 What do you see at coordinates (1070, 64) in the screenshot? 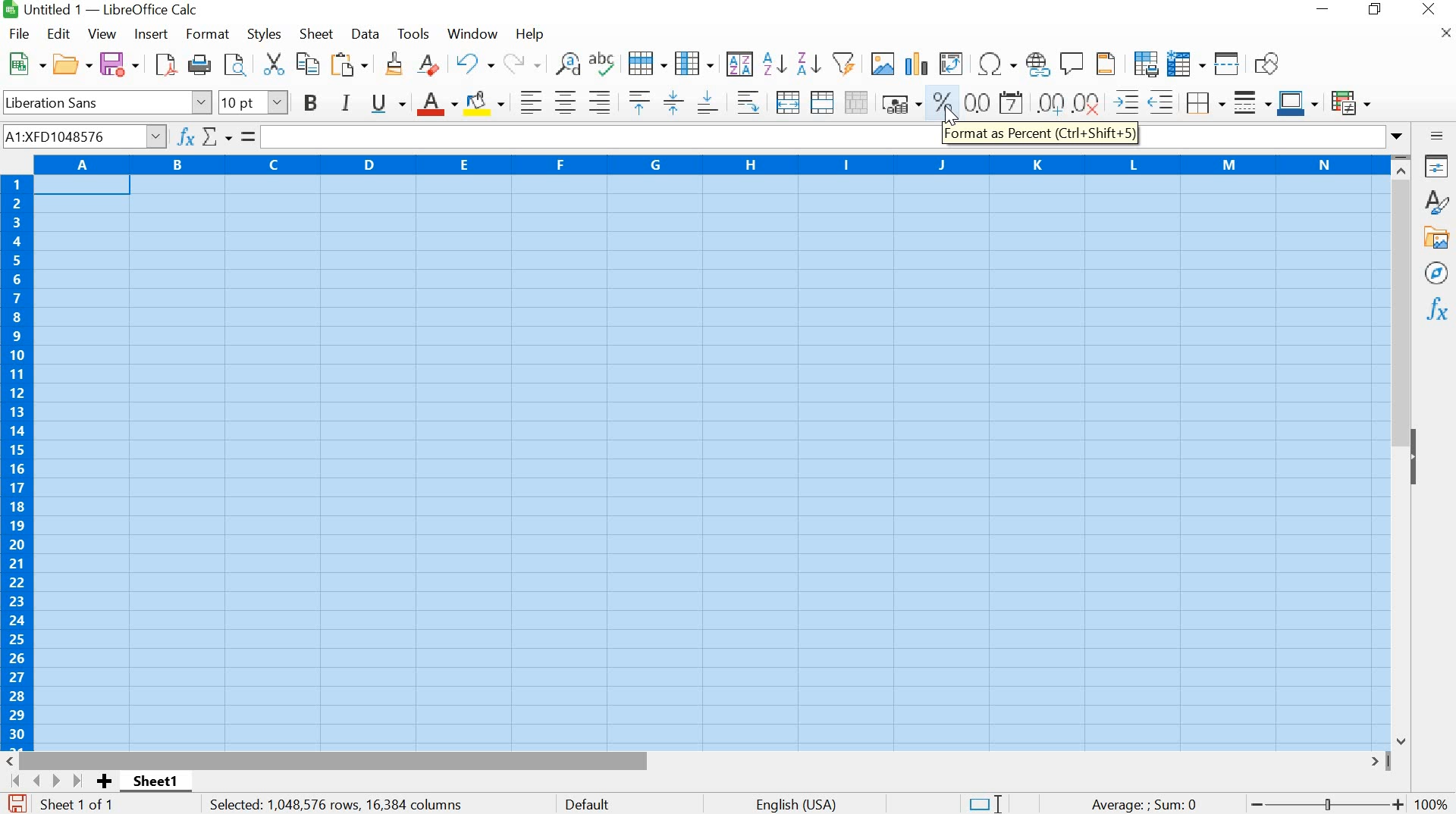
I see `Insert comment` at bounding box center [1070, 64].